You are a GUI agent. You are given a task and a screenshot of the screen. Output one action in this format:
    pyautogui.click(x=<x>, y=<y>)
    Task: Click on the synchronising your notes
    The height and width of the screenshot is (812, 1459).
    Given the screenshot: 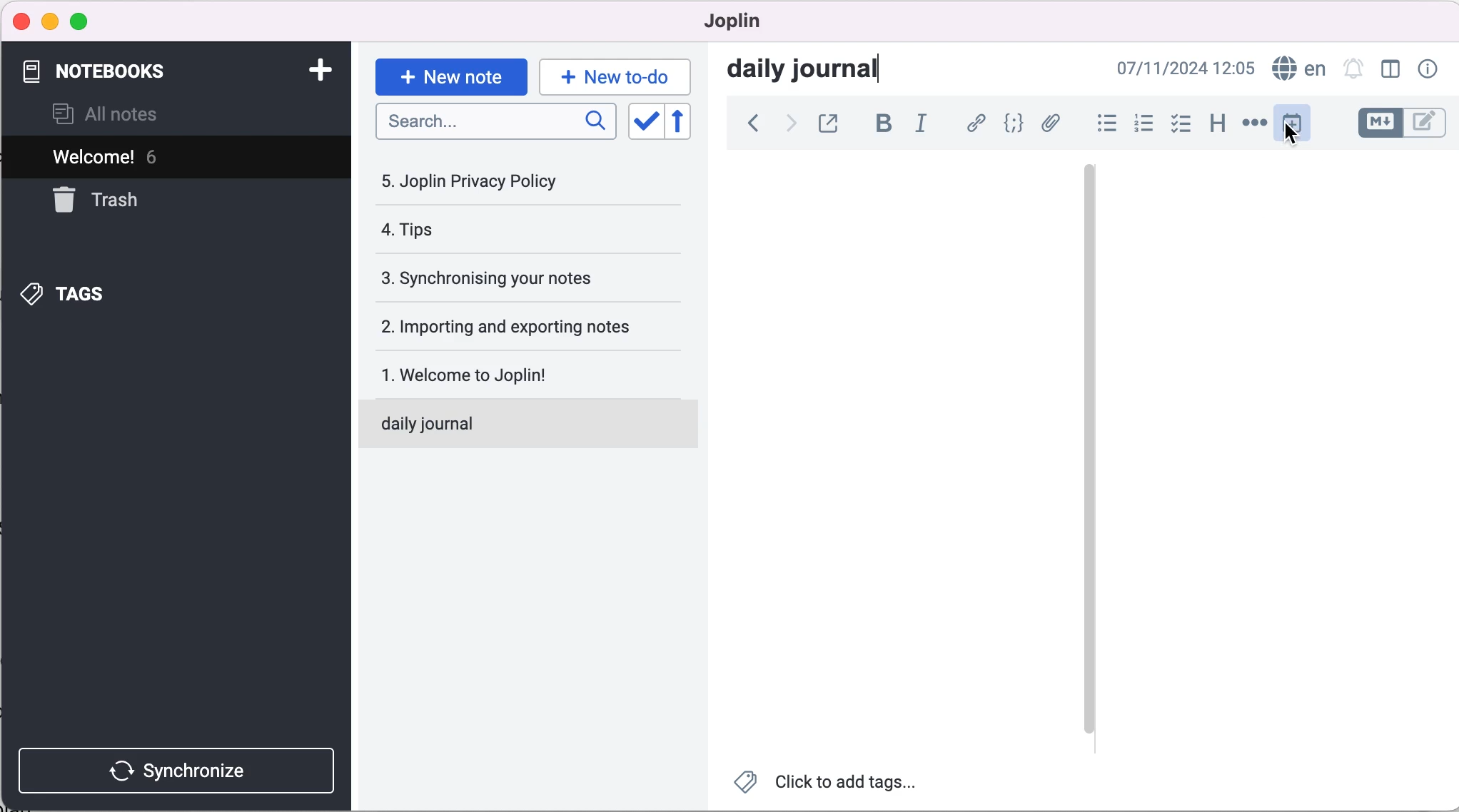 What is the action you would take?
    pyautogui.click(x=508, y=278)
    